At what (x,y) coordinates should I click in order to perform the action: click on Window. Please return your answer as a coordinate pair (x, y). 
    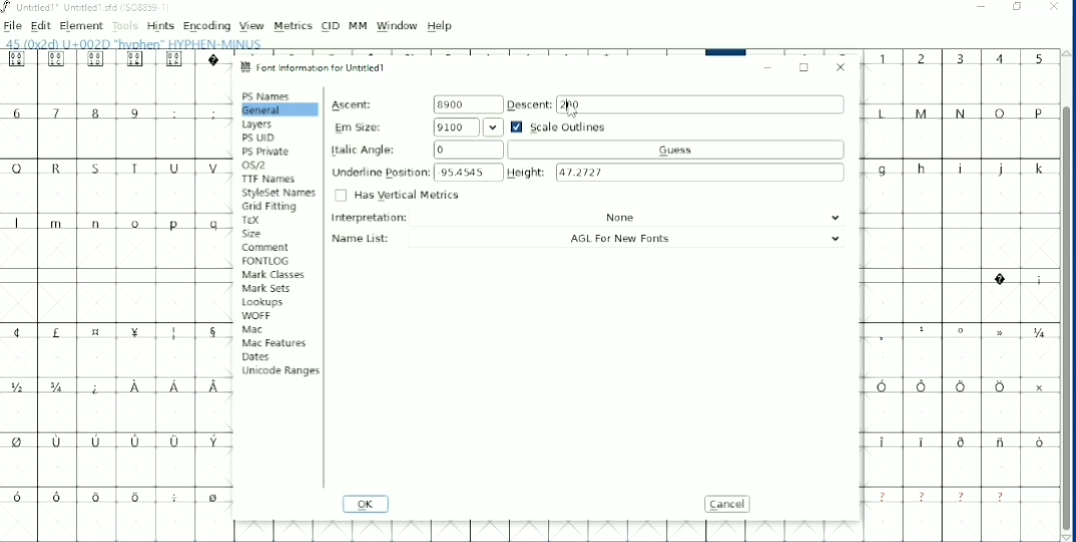
    Looking at the image, I should click on (397, 26).